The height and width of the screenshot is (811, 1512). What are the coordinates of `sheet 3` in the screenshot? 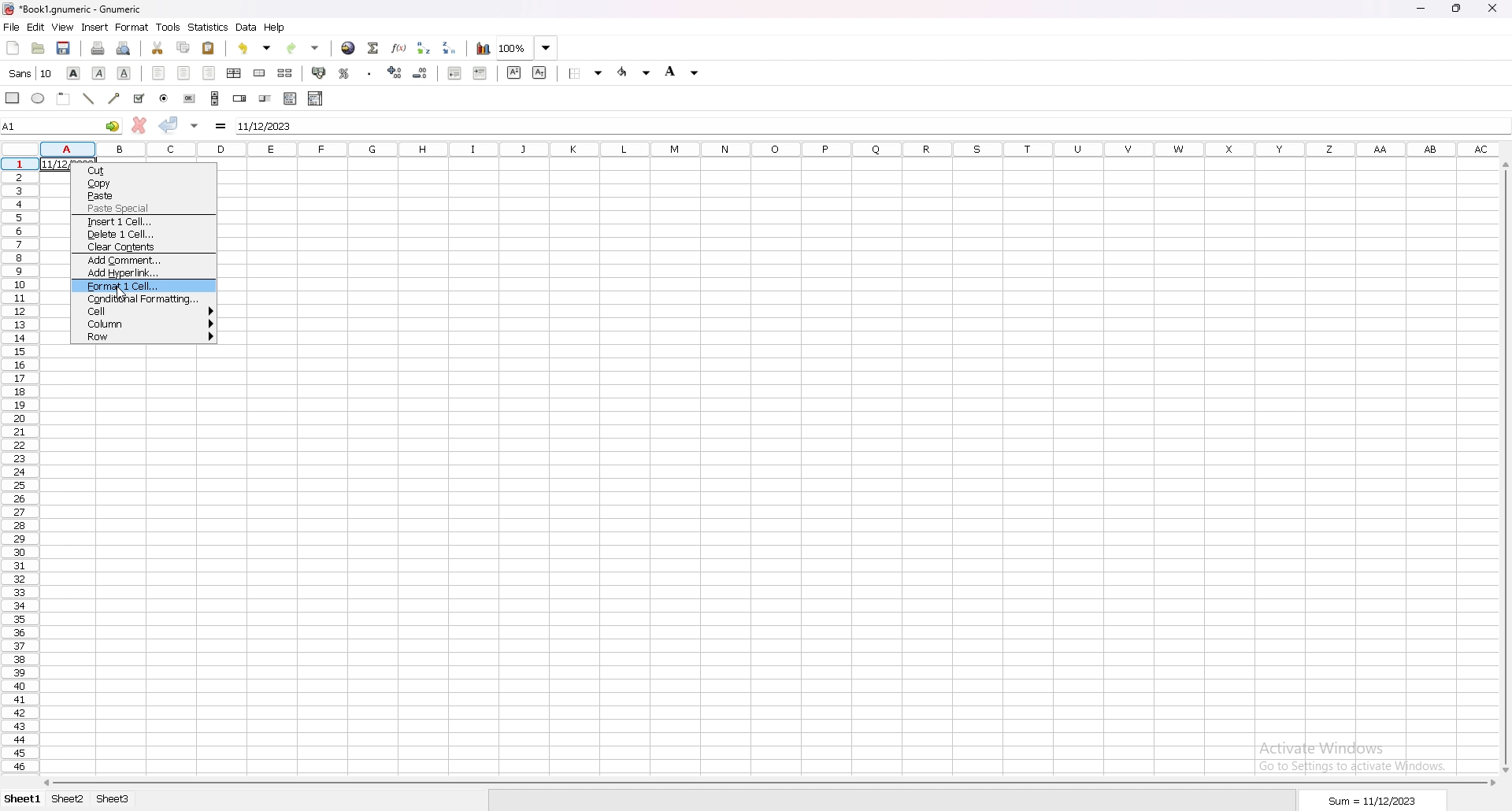 It's located at (113, 799).